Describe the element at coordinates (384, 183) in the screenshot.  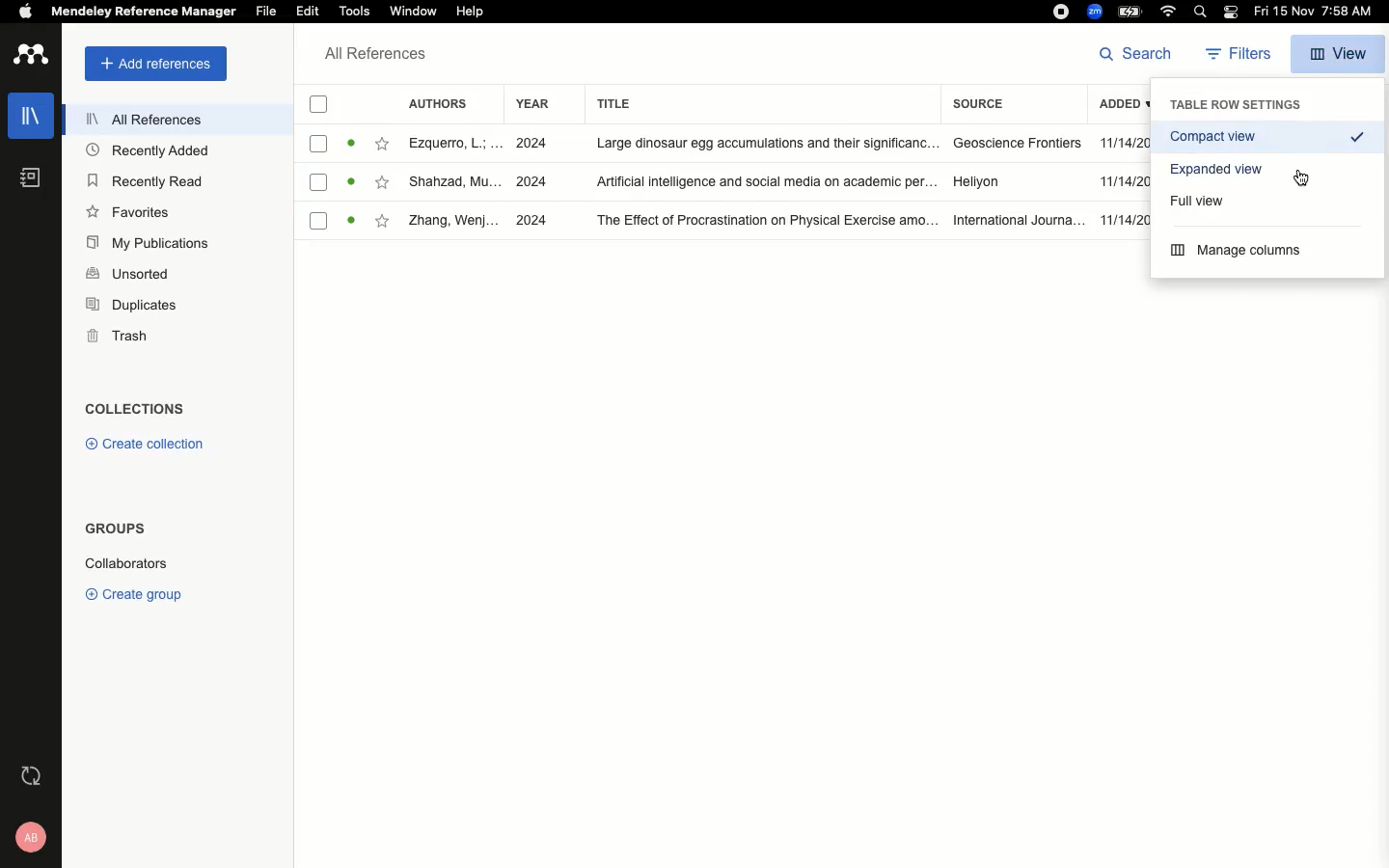
I see `Favorites` at that location.